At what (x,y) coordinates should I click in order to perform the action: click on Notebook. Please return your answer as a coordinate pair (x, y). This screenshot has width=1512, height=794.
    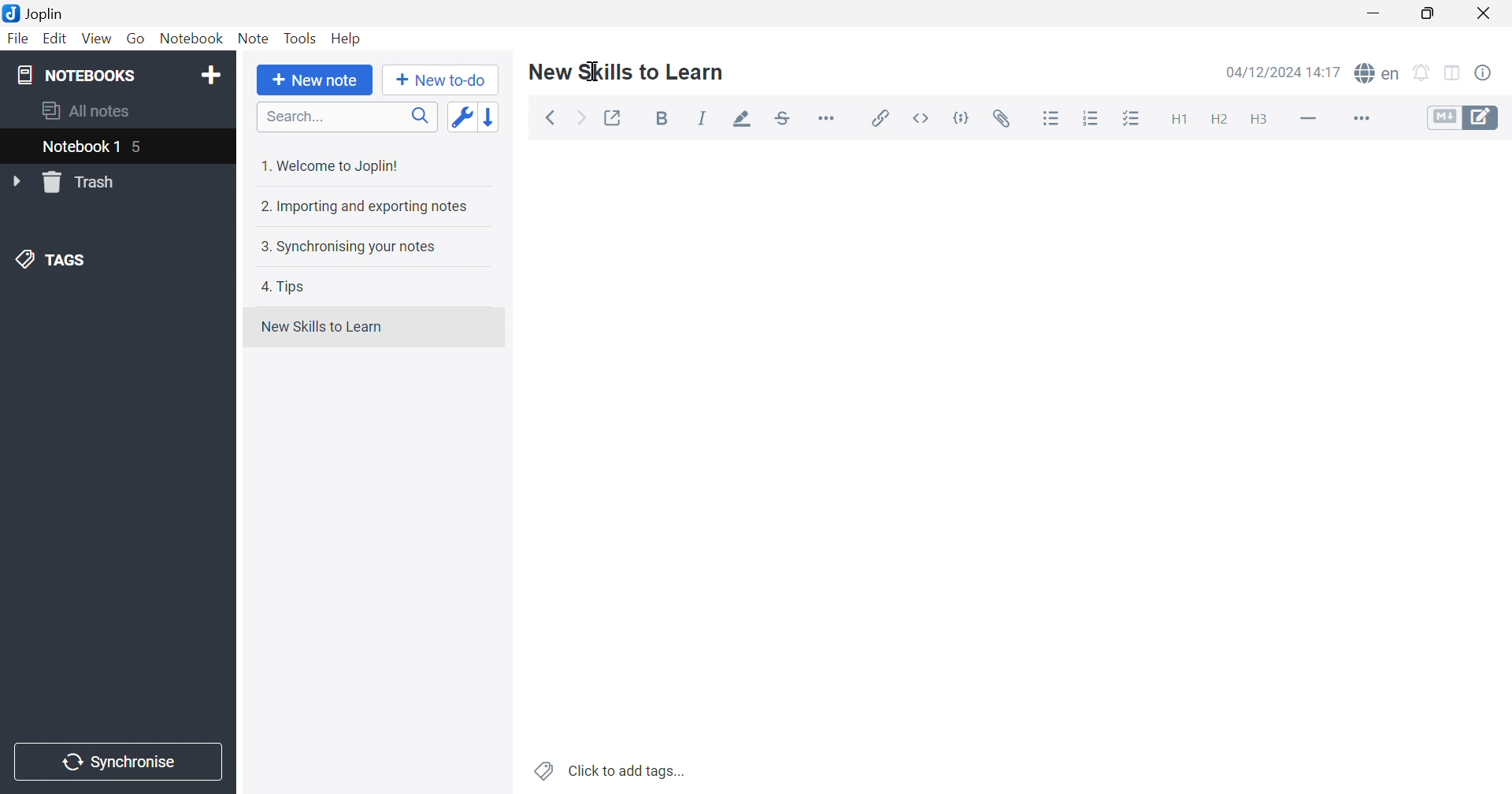
    Looking at the image, I should click on (190, 39).